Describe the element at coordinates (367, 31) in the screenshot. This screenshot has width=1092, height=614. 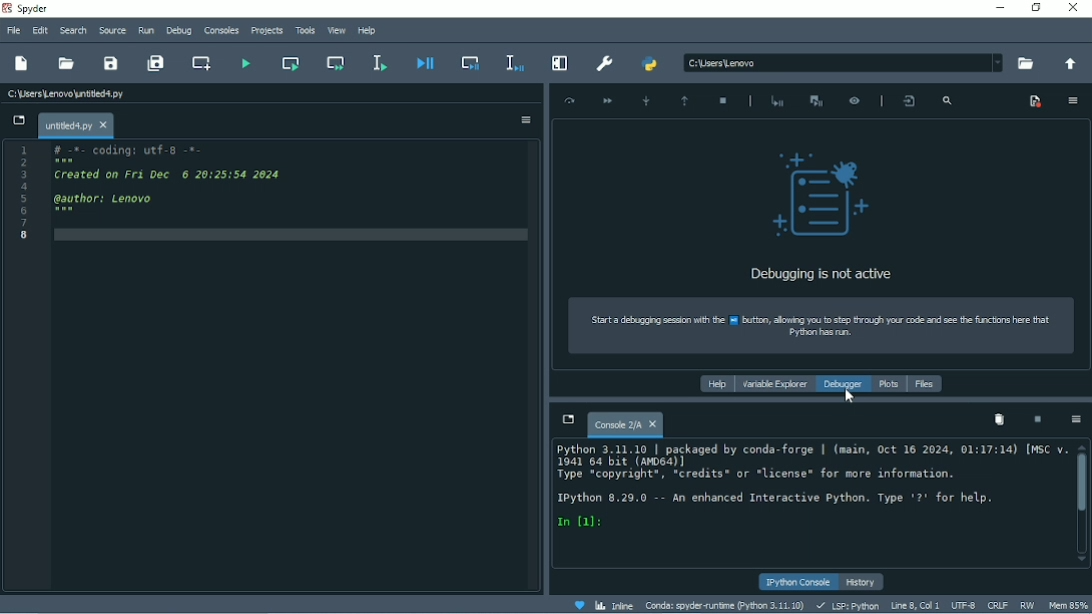
I see `Help` at that location.